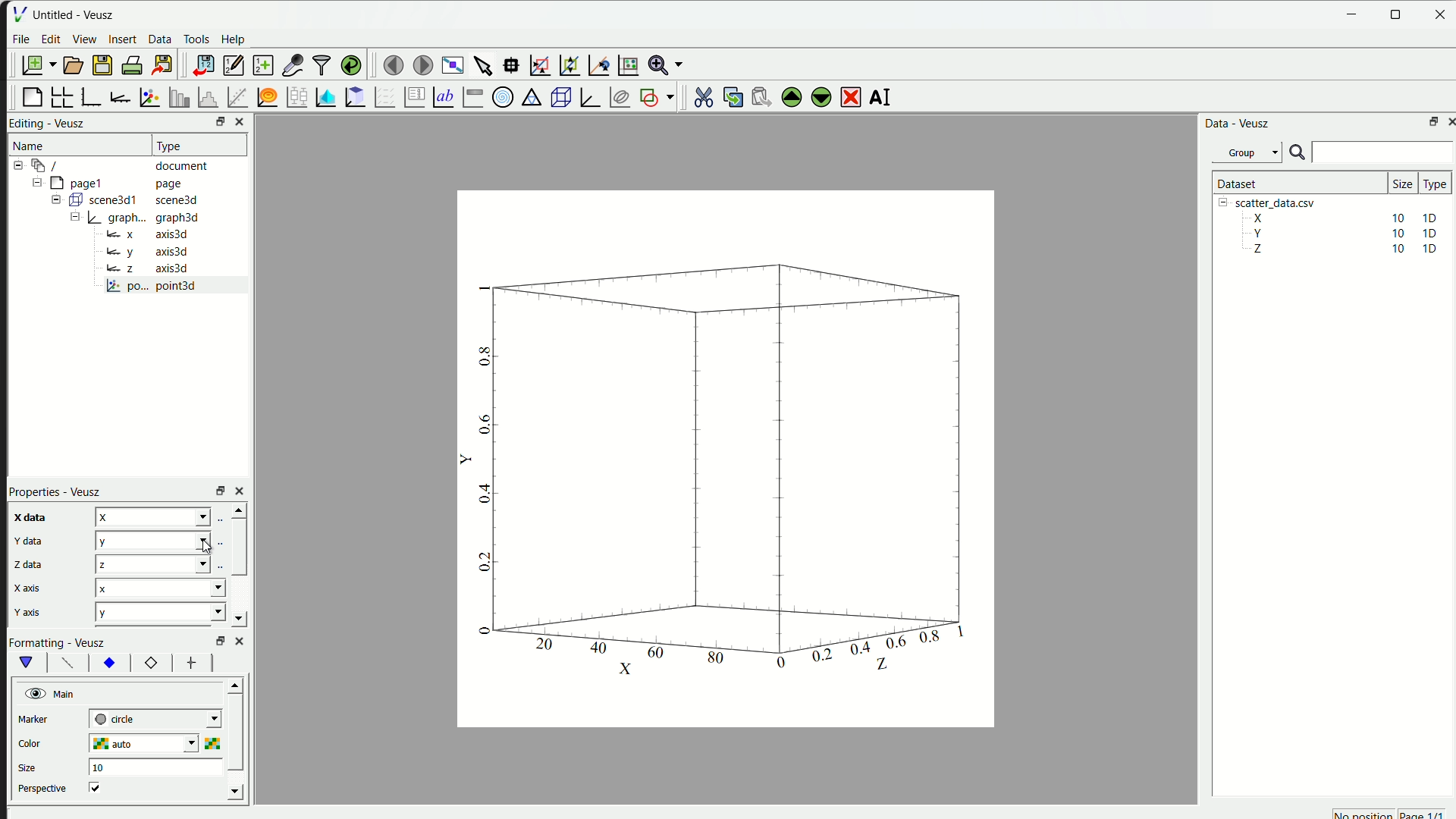 The image size is (1456, 819). What do you see at coordinates (1430, 120) in the screenshot?
I see `maximize` at bounding box center [1430, 120].